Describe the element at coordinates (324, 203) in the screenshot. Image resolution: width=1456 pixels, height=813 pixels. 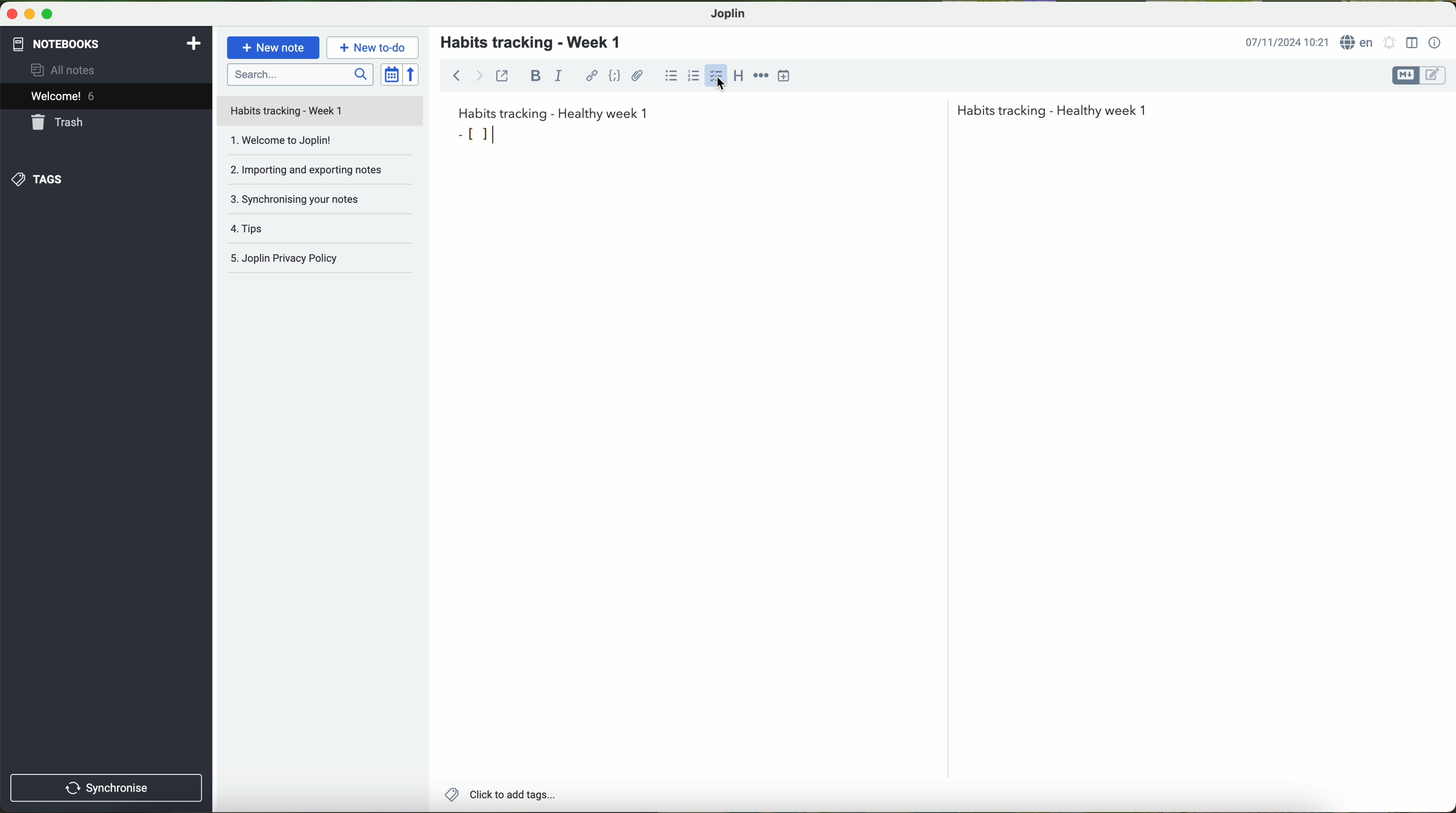
I see `synchronising your notes` at that location.